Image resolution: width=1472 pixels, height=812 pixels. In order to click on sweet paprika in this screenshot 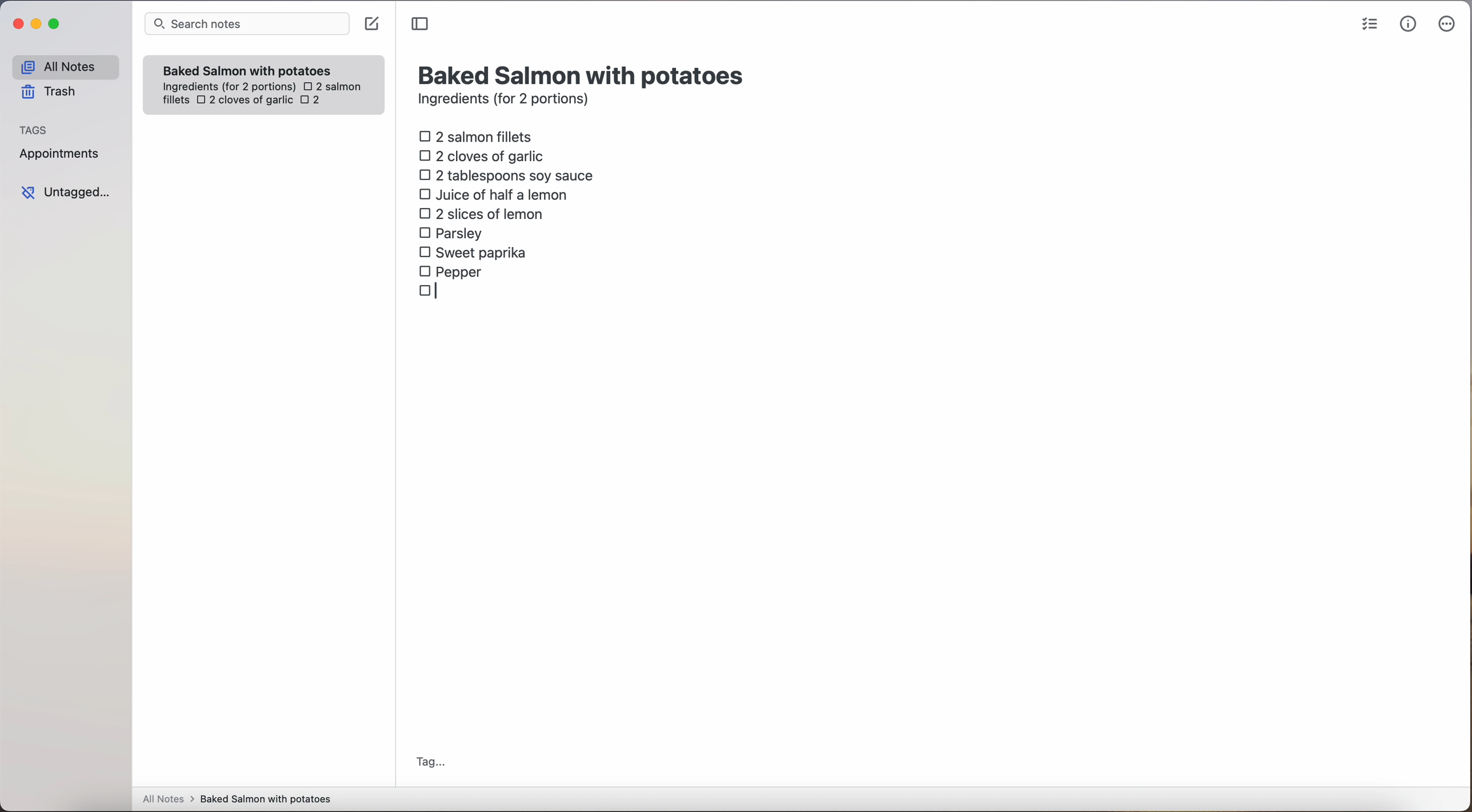, I will do `click(475, 253)`.